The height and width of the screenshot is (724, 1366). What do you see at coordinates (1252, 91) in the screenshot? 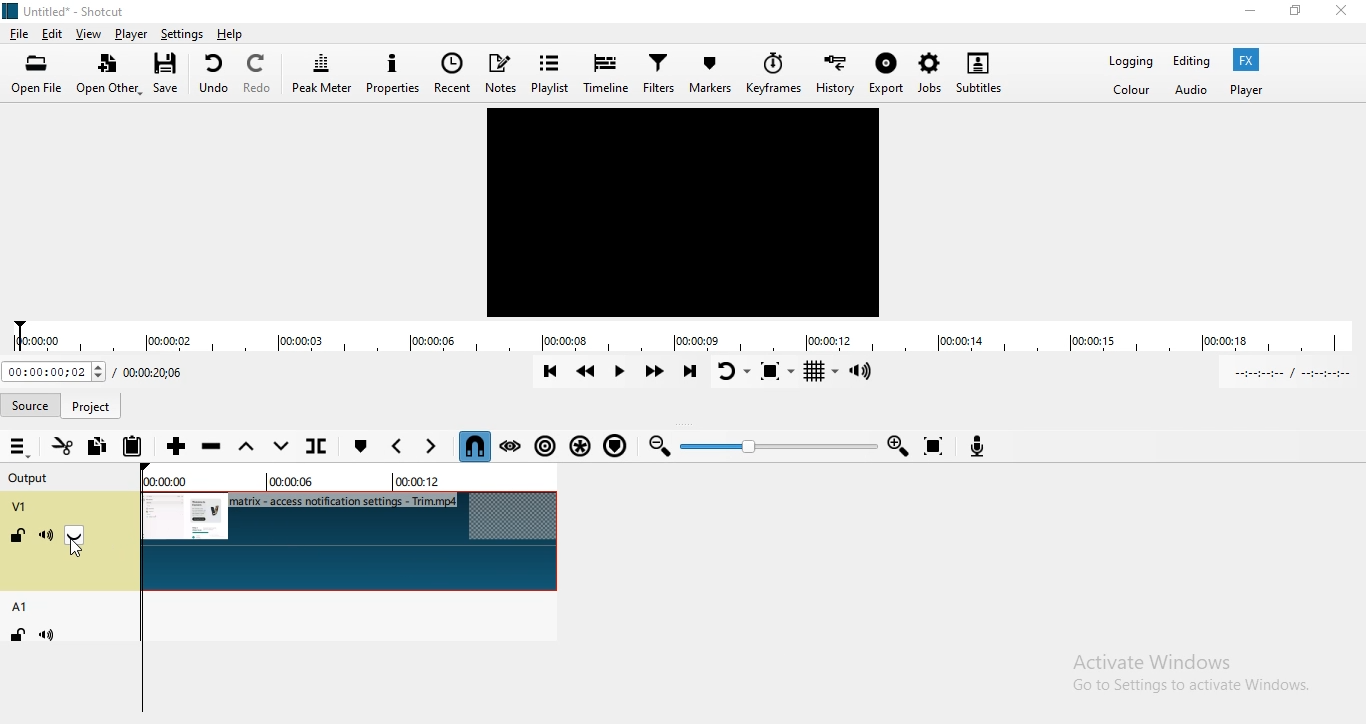
I see `Player` at bounding box center [1252, 91].